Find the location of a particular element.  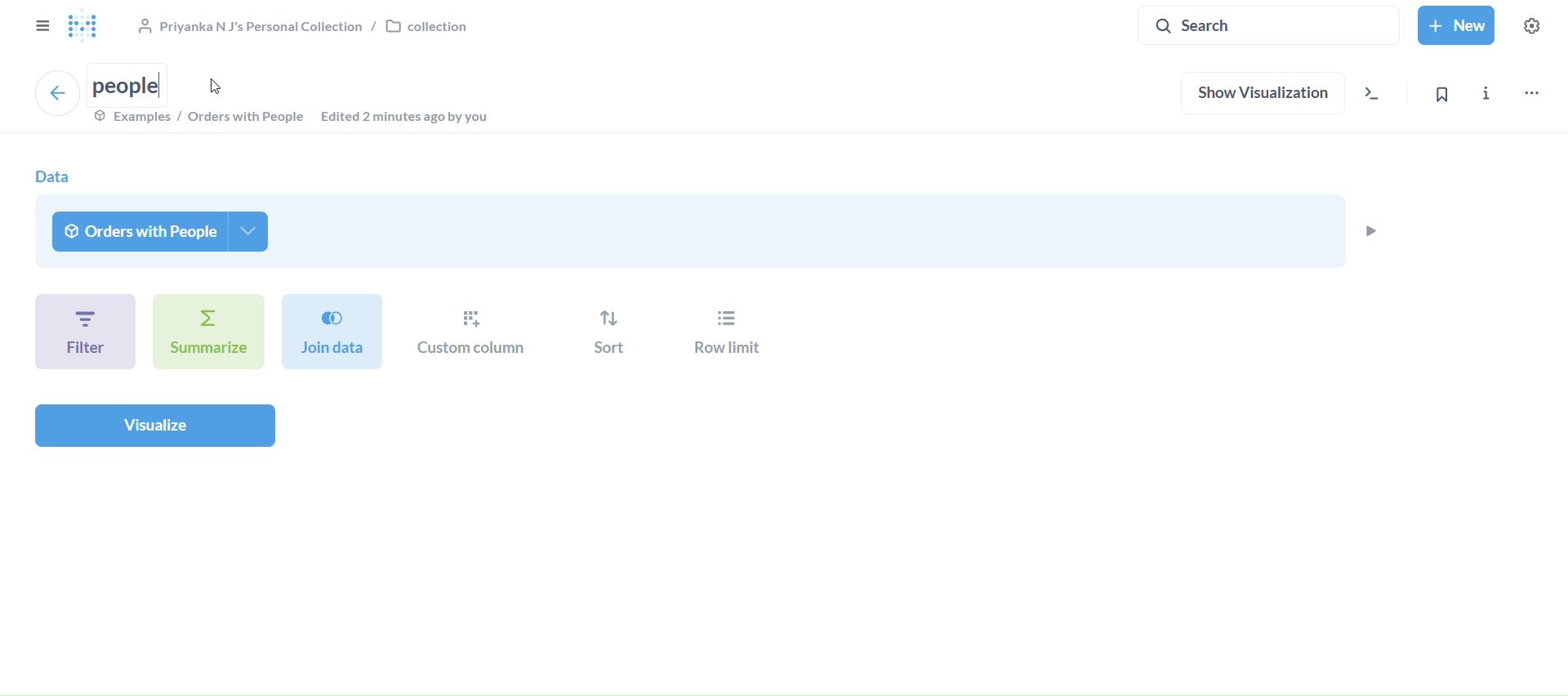

custom column is located at coordinates (474, 332).